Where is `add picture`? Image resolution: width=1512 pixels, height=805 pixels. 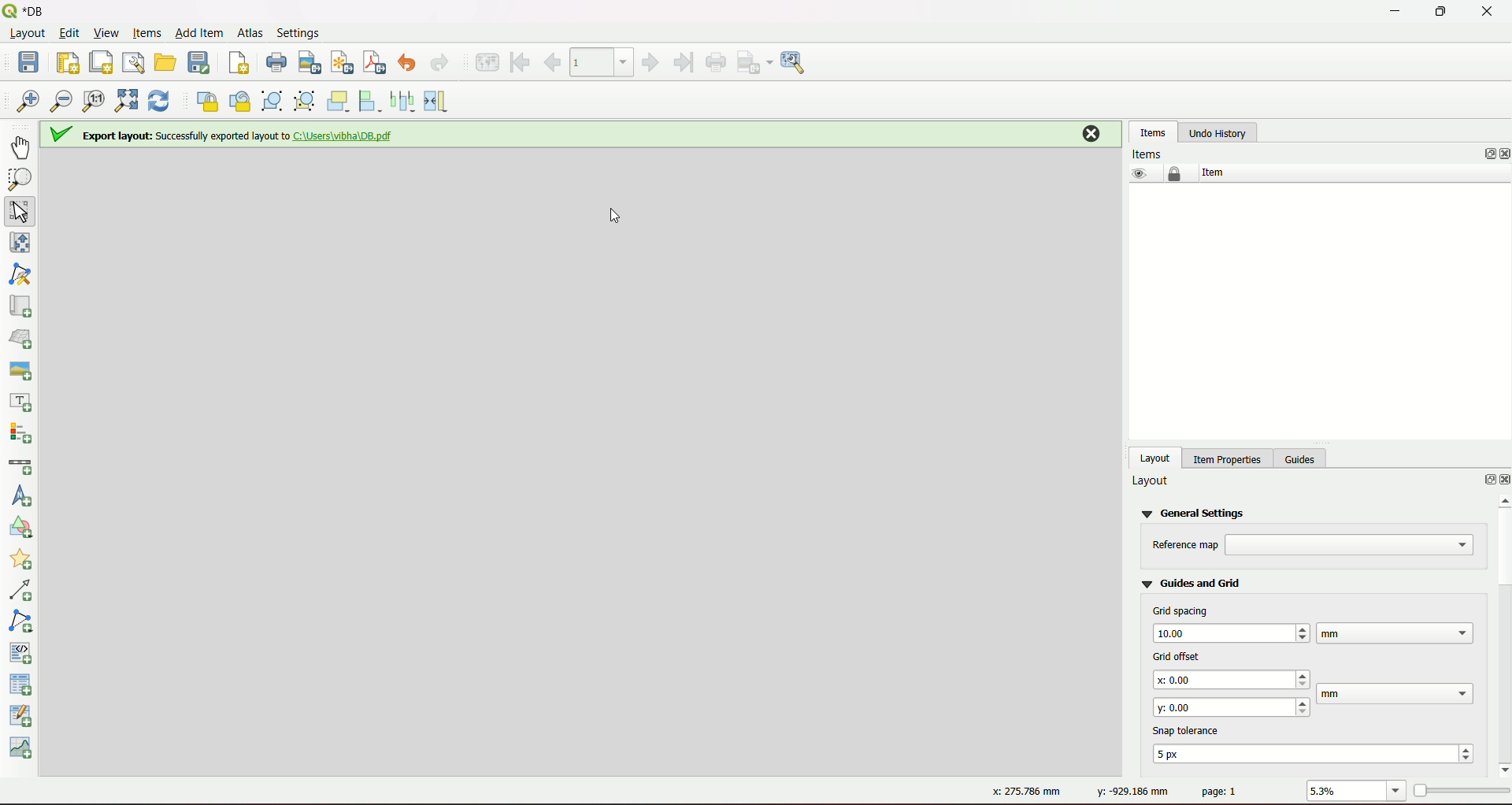
add picture is located at coordinates (20, 368).